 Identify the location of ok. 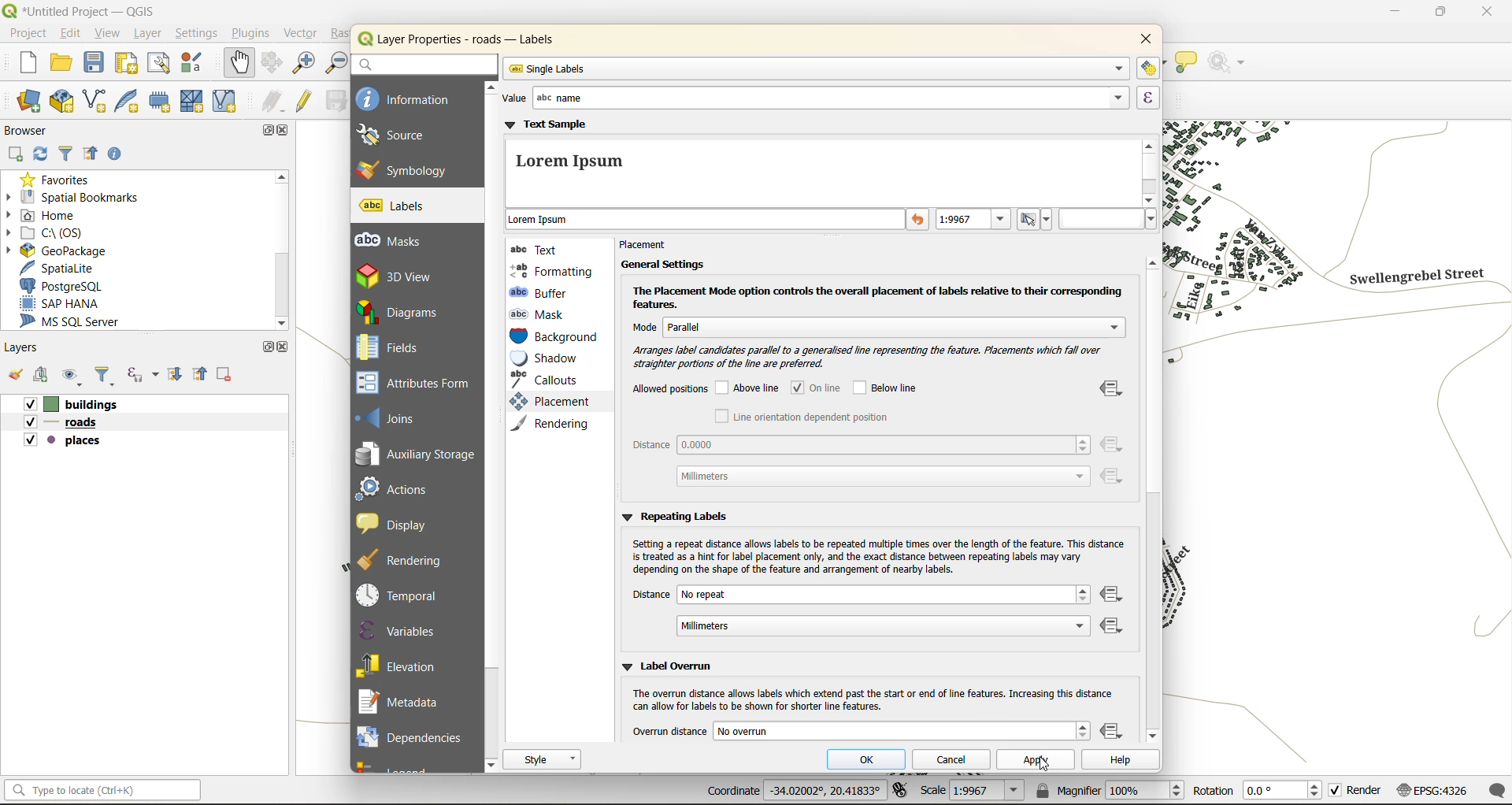
(872, 761).